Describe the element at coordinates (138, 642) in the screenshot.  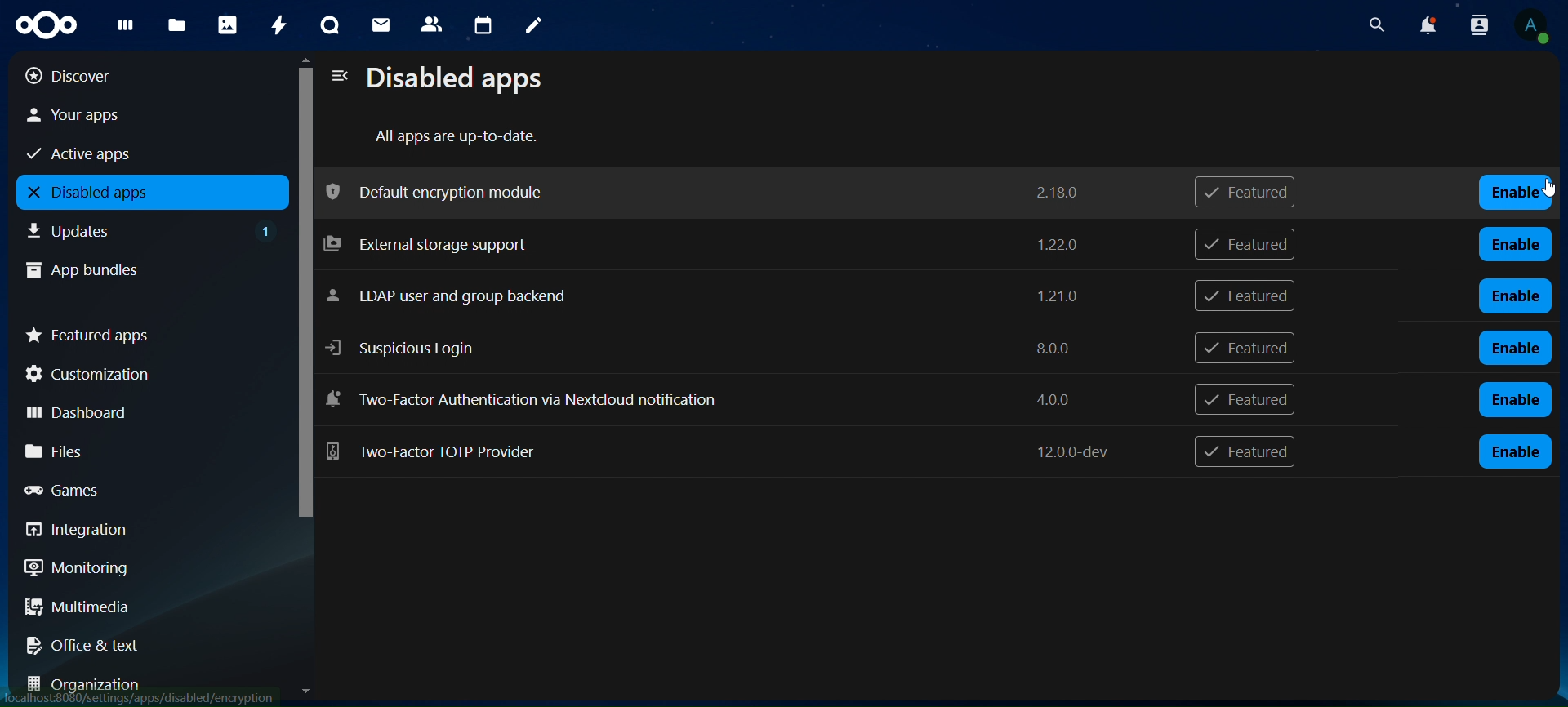
I see `office & text` at that location.